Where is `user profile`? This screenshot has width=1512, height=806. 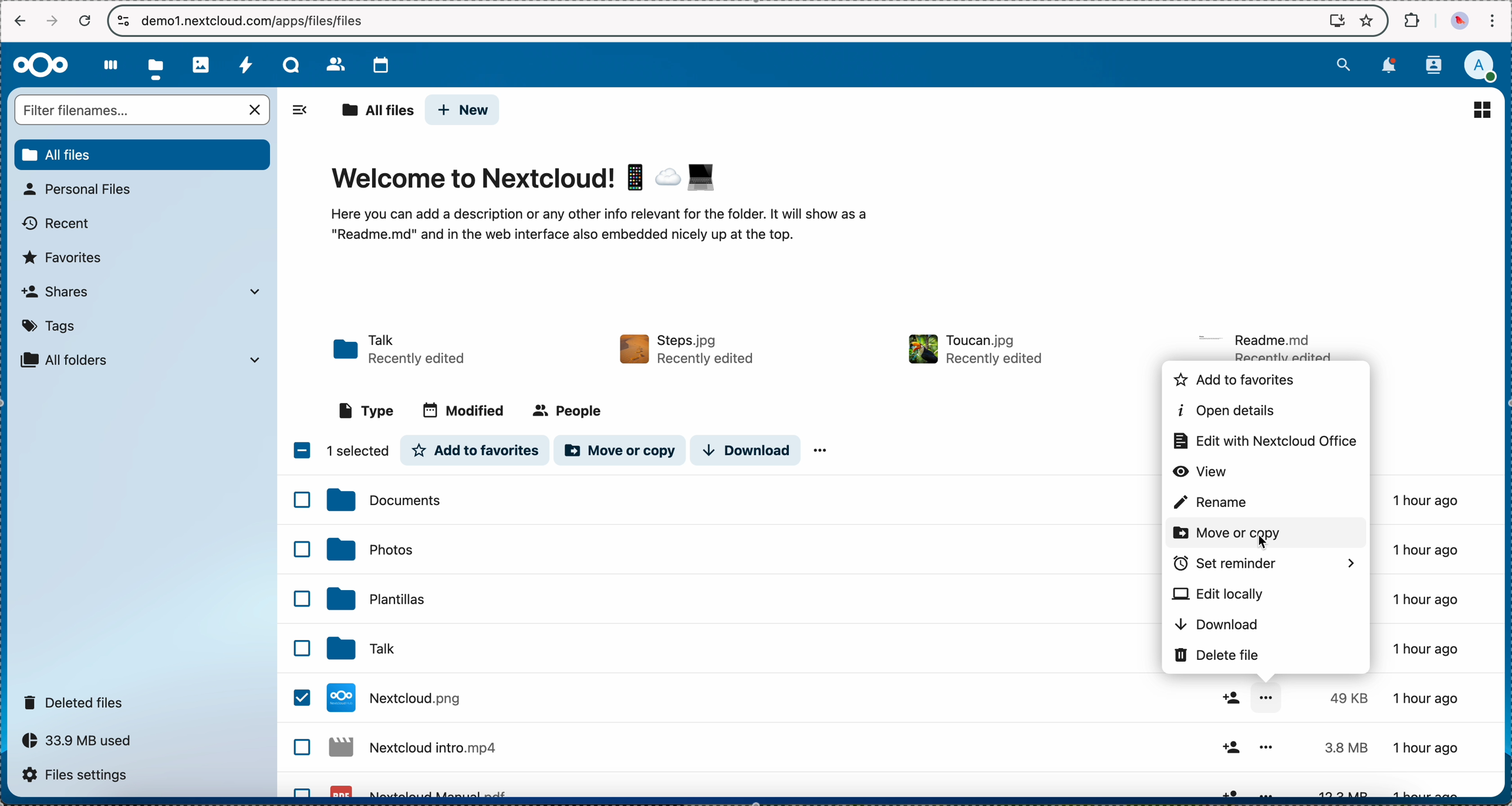 user profile is located at coordinates (1486, 66).